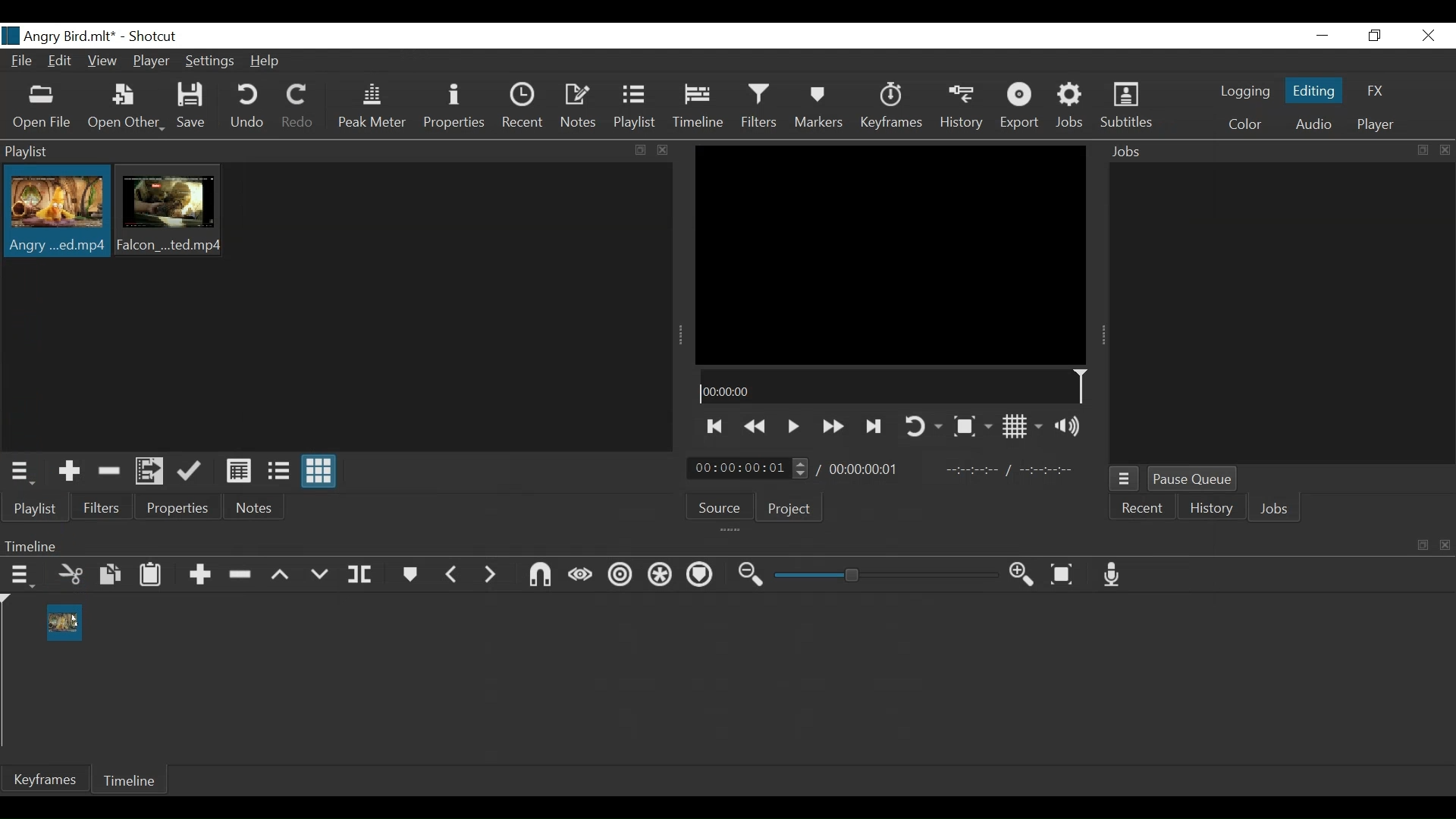  Describe the element at coordinates (1208, 510) in the screenshot. I see `History` at that location.